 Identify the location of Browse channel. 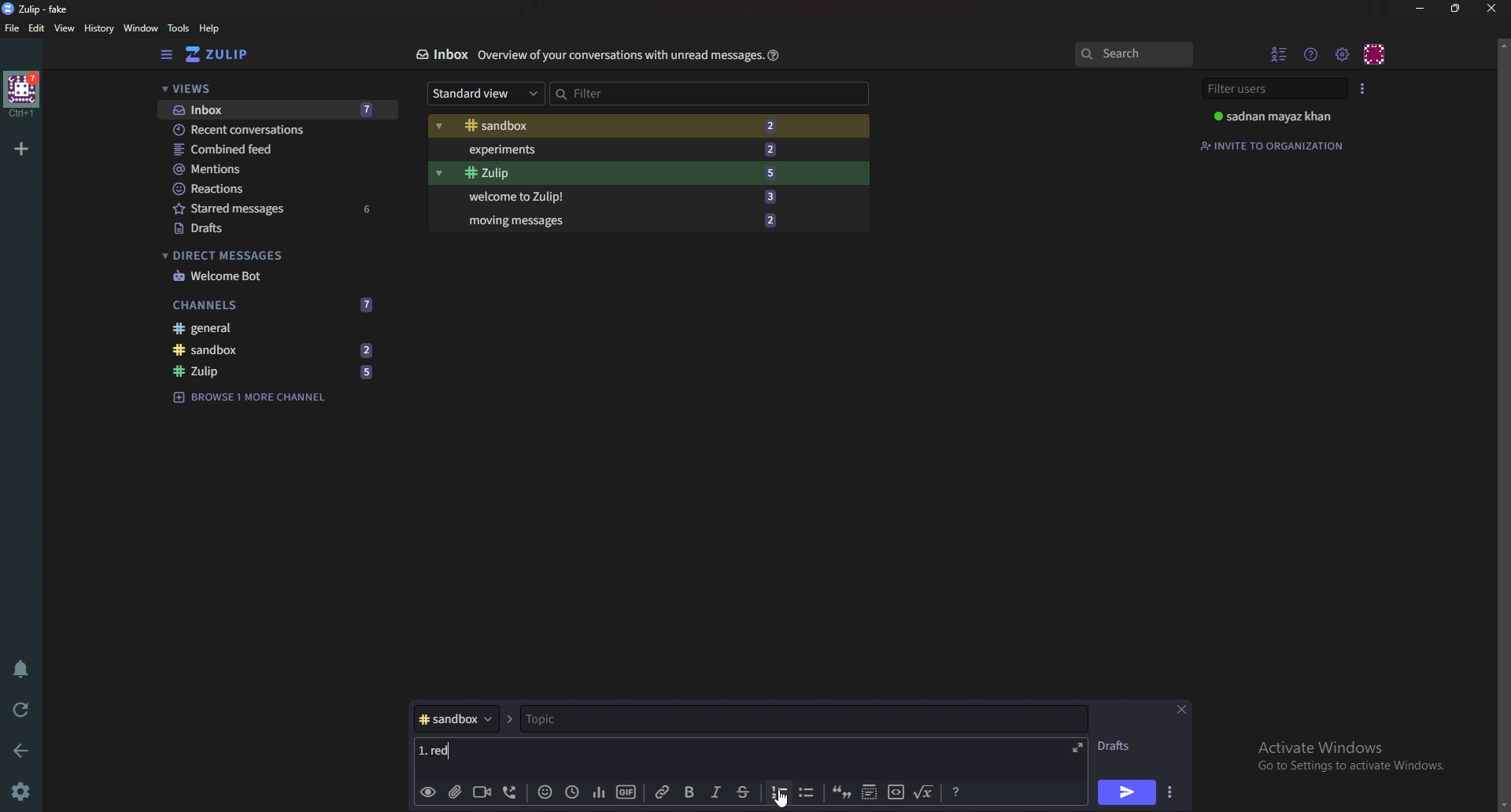
(258, 396).